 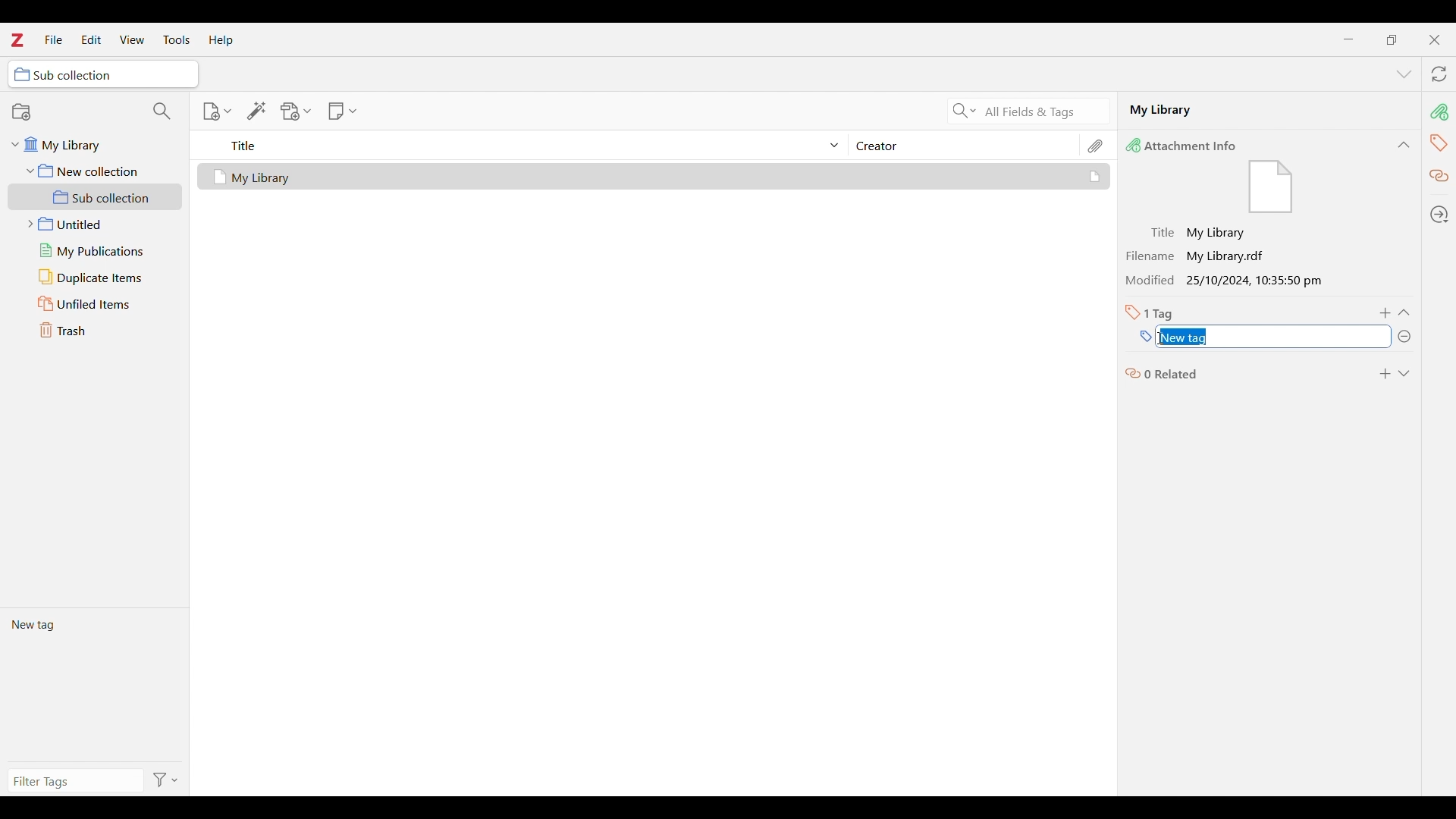 What do you see at coordinates (1185, 145) in the screenshot?
I see `Attachment Info` at bounding box center [1185, 145].